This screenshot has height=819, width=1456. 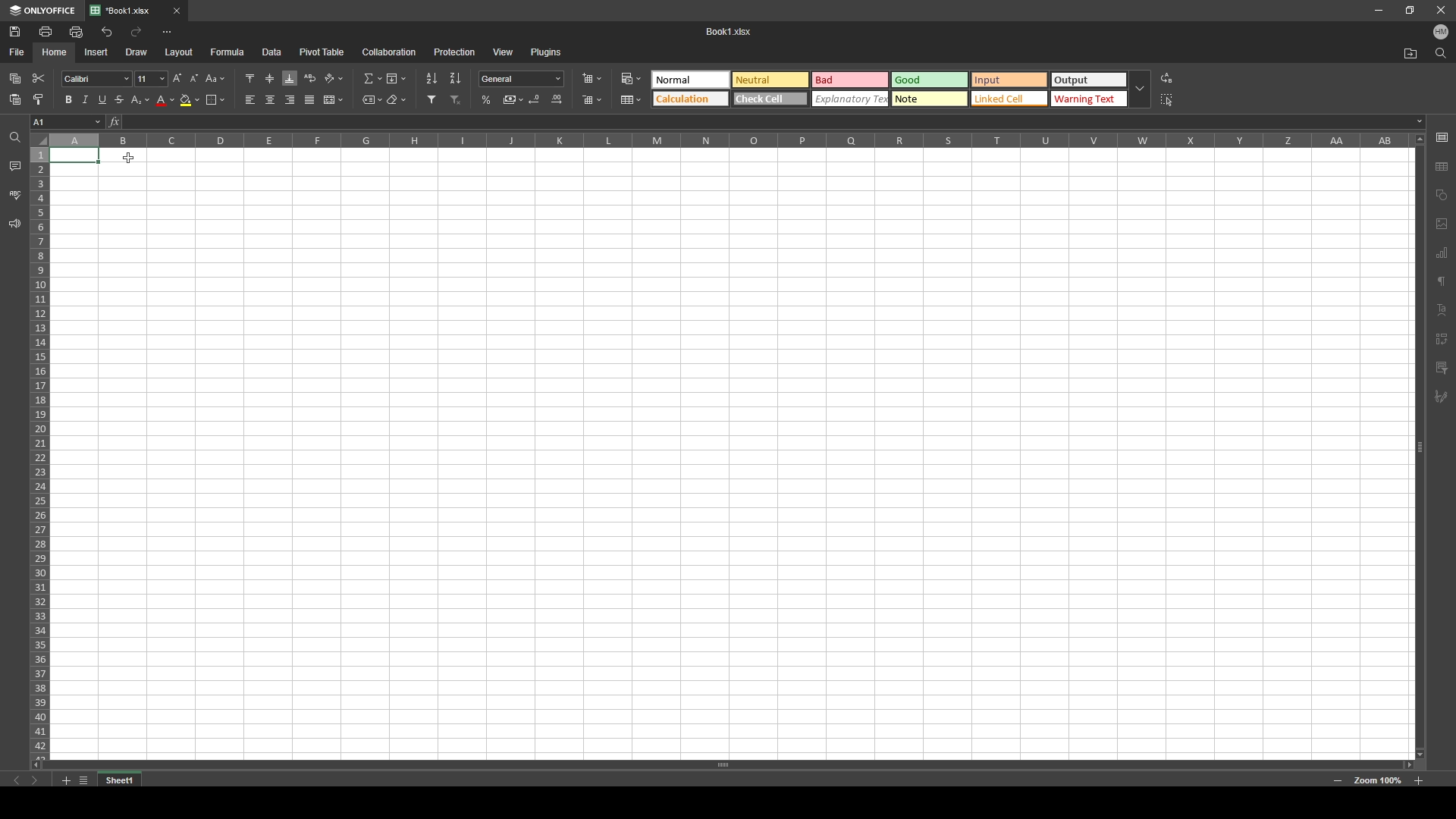 What do you see at coordinates (65, 780) in the screenshot?
I see `add sheet` at bounding box center [65, 780].